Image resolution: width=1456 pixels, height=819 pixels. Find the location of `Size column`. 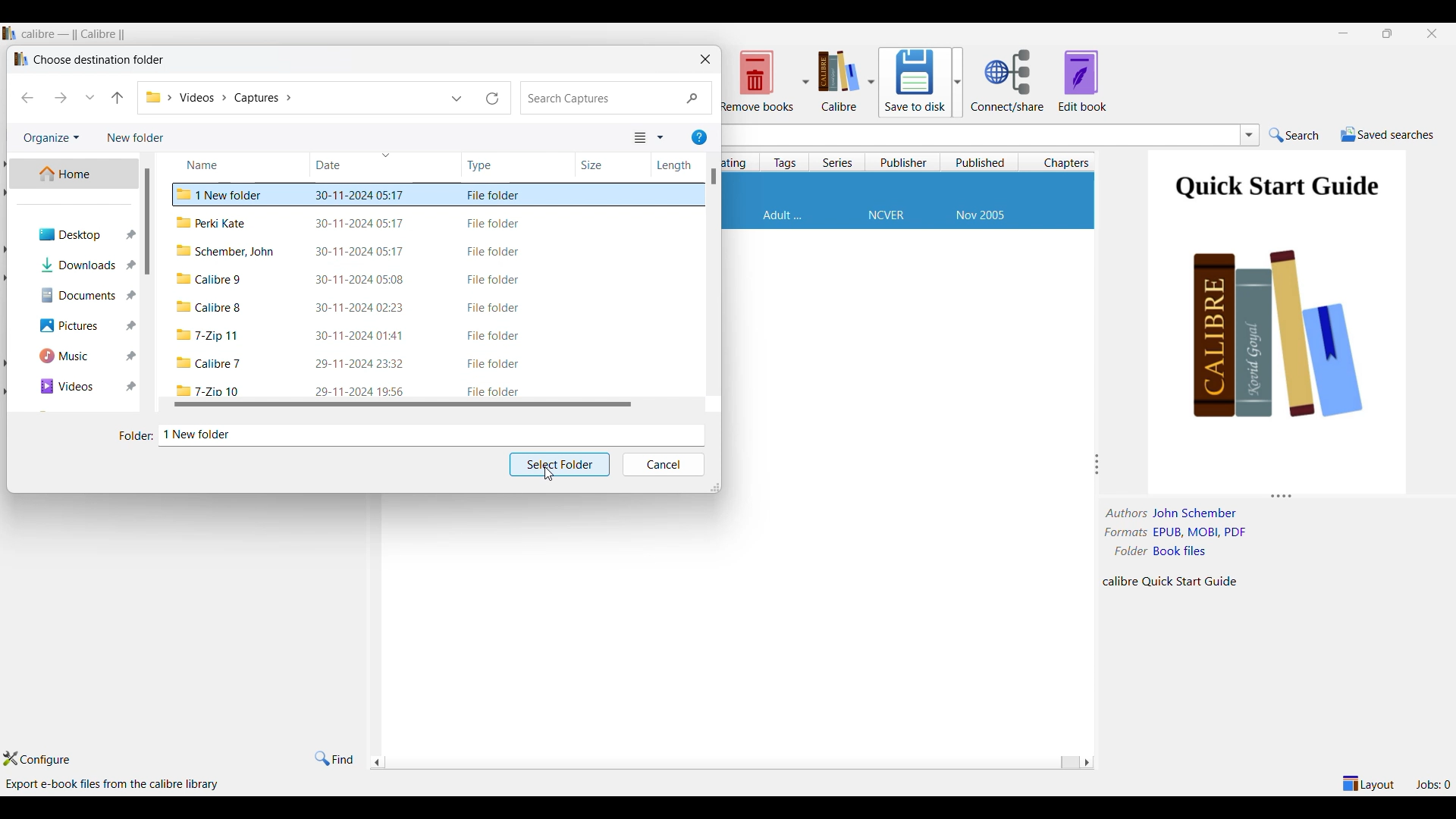

Size column is located at coordinates (601, 164).